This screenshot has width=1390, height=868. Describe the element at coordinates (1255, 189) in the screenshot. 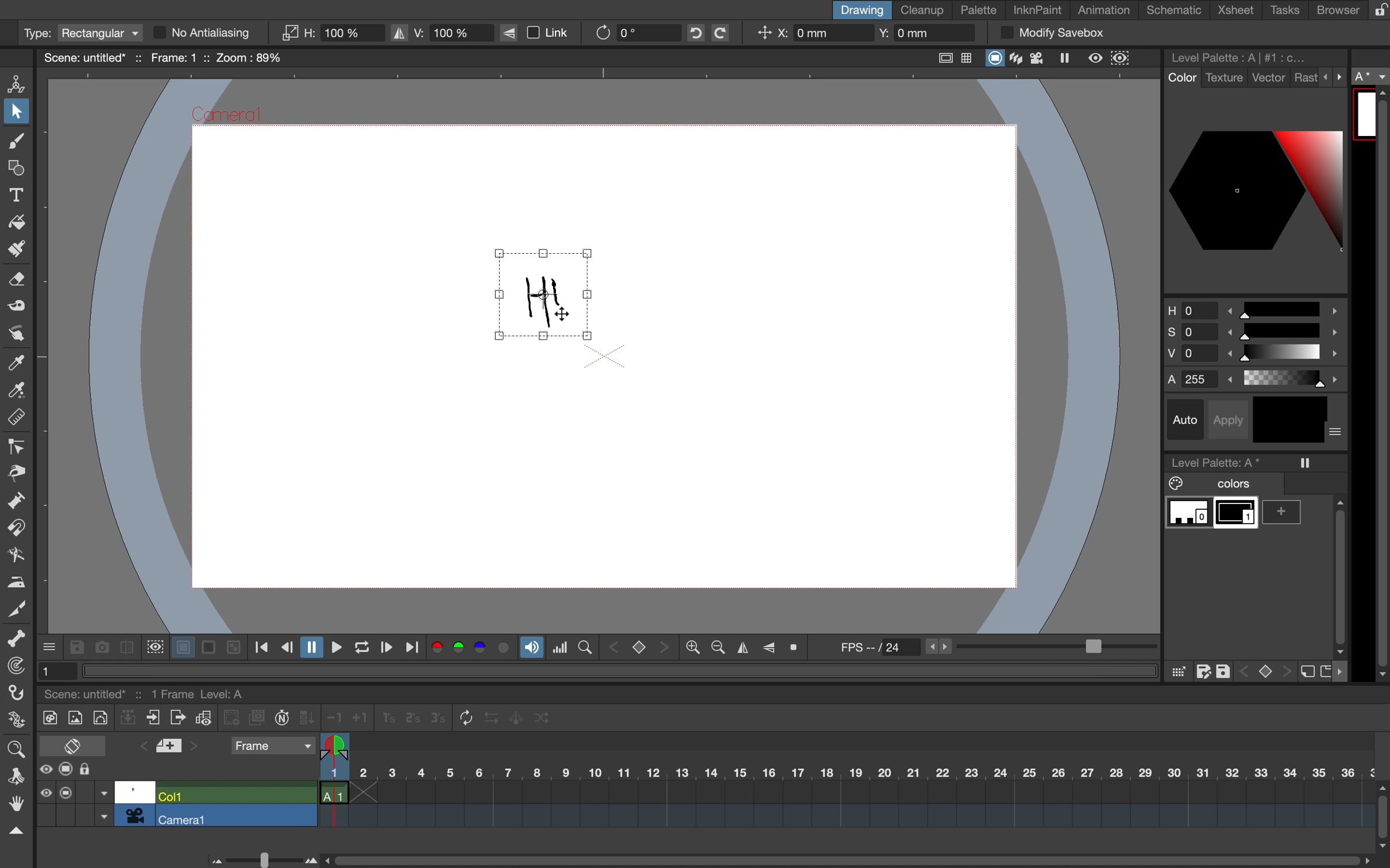

I see `color palettes` at that location.